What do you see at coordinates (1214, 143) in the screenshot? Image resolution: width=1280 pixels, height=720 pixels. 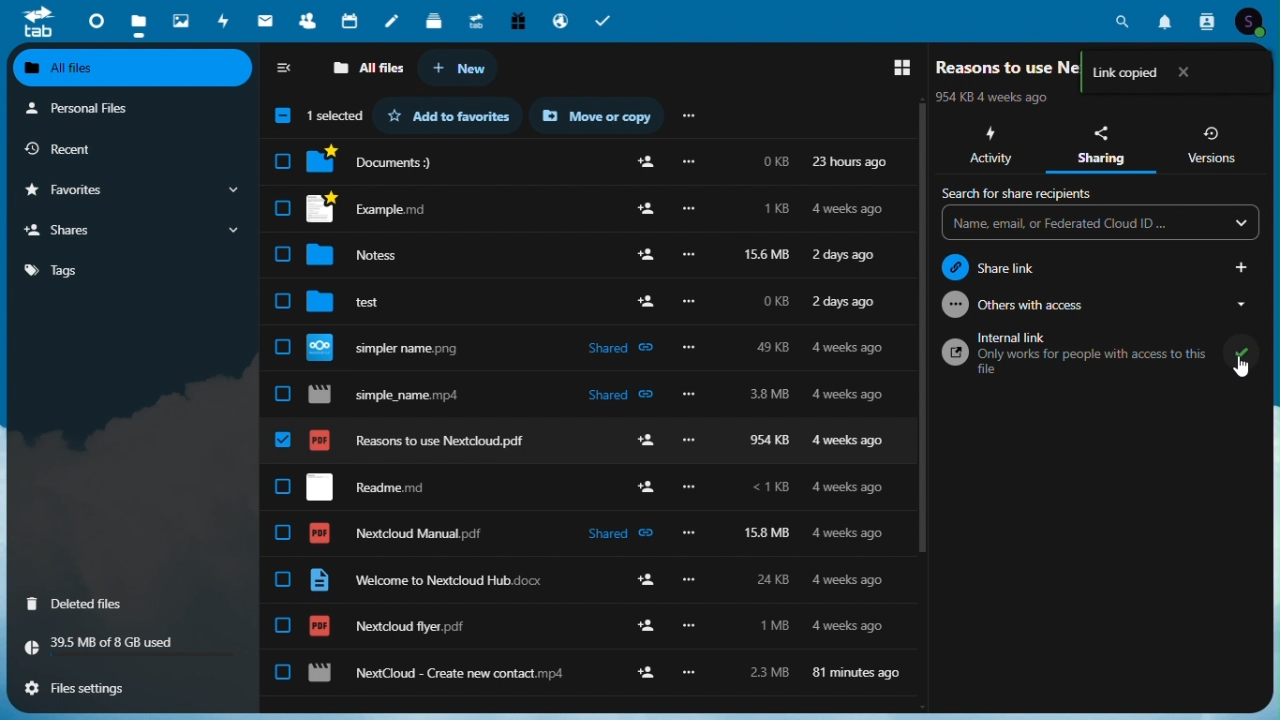 I see `versions` at bounding box center [1214, 143].